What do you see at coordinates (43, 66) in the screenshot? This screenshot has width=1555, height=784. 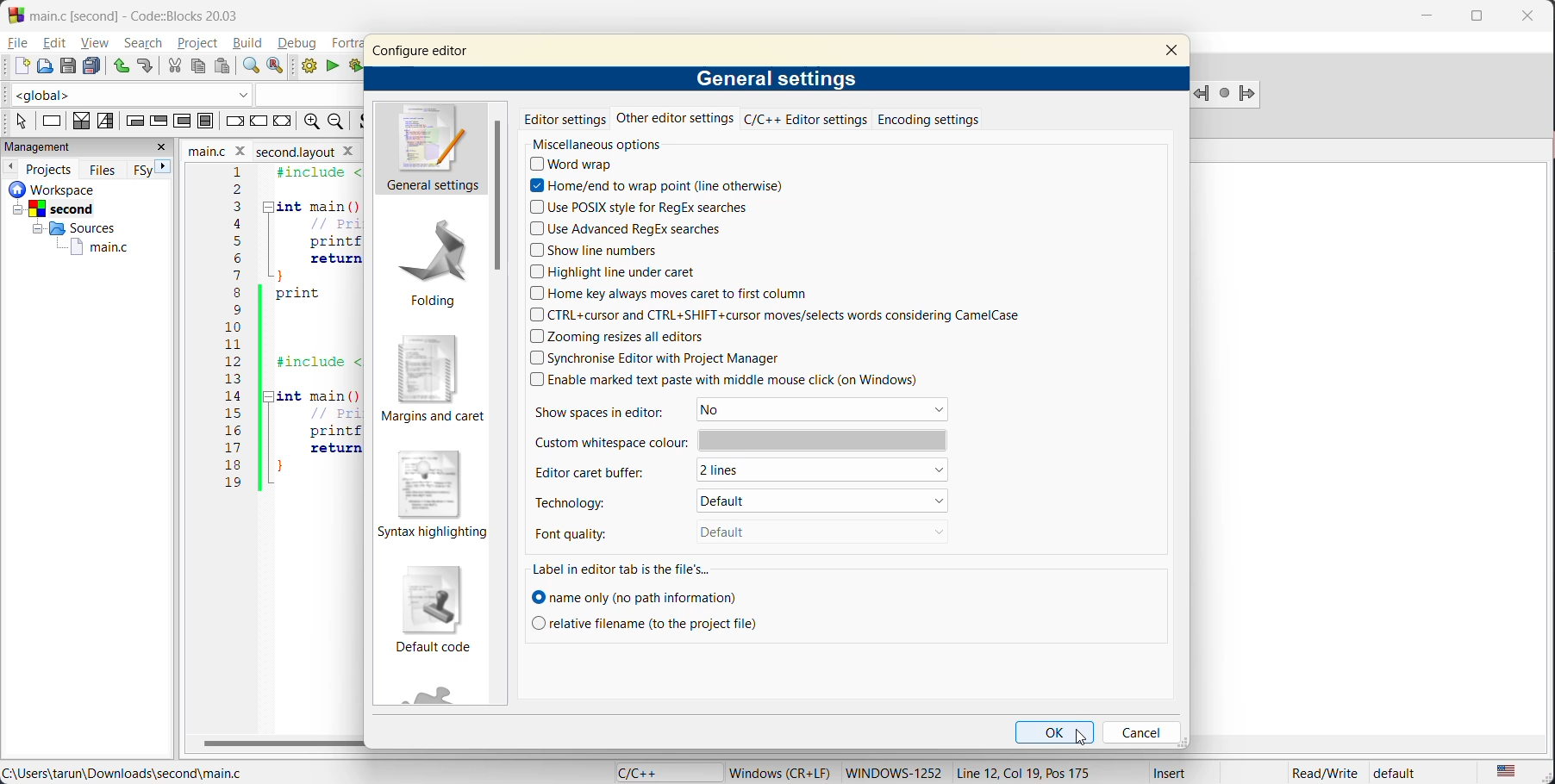 I see `open` at bounding box center [43, 66].